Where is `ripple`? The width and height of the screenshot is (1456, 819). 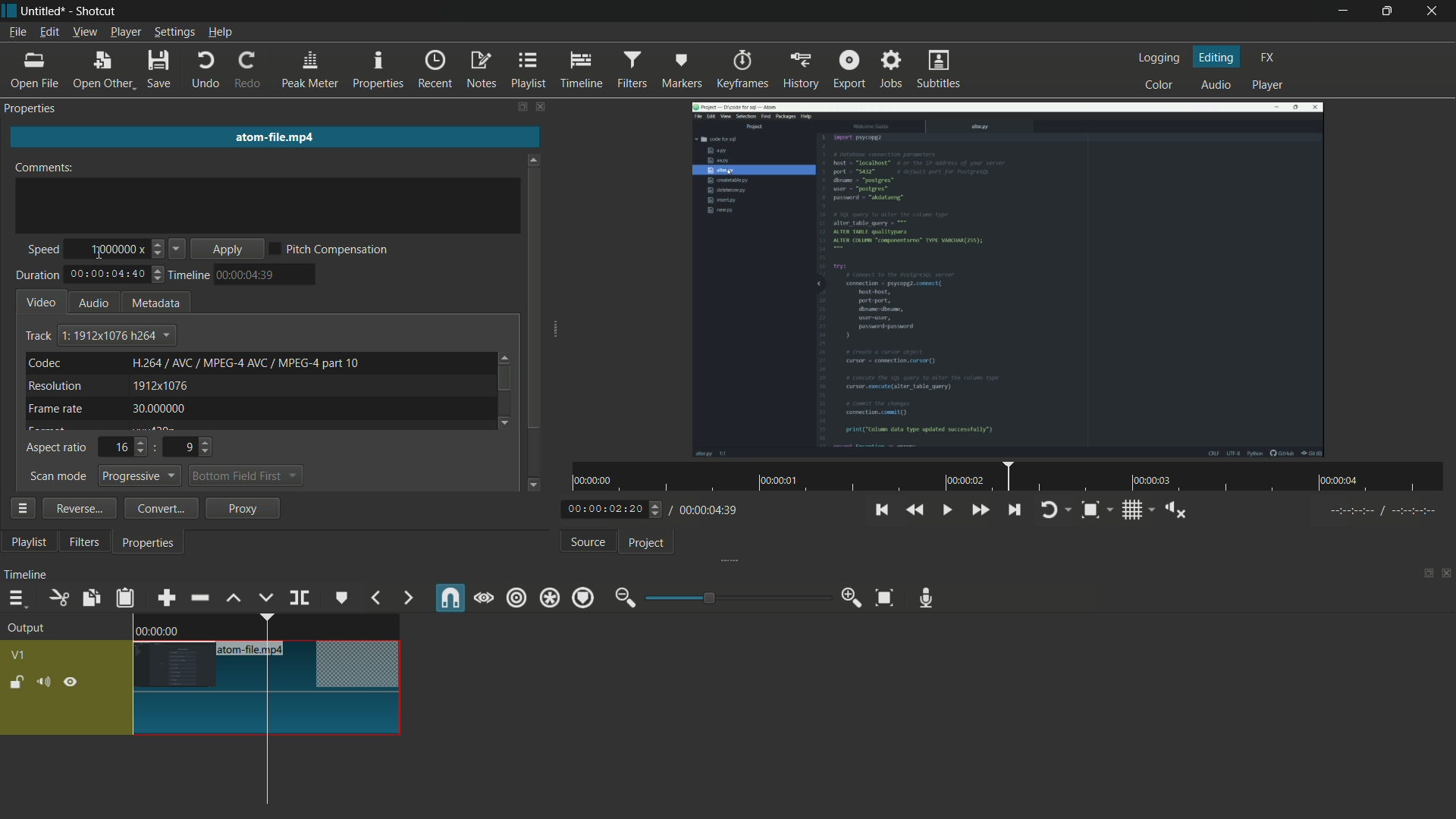 ripple is located at coordinates (516, 598).